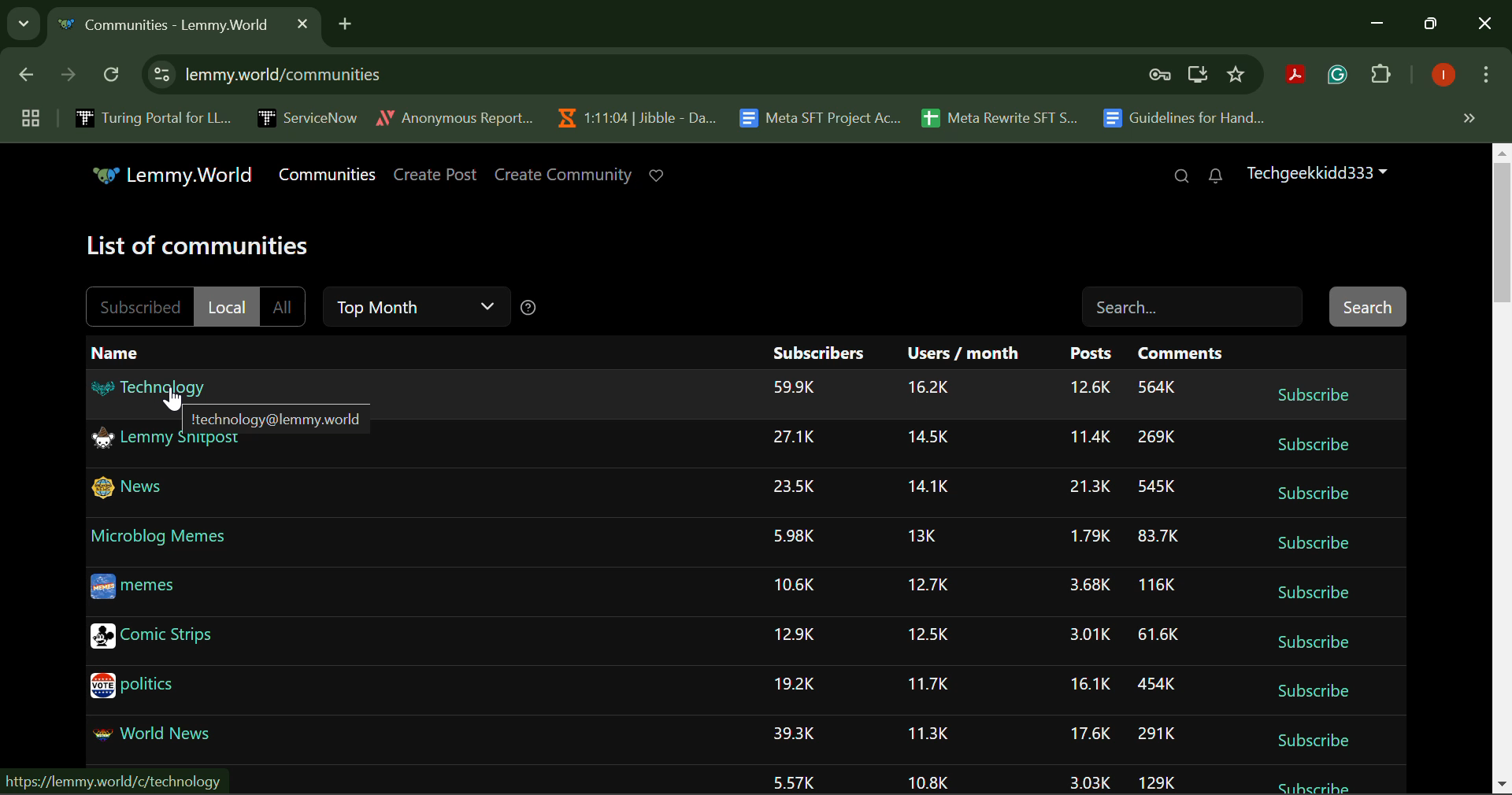 This screenshot has width=1512, height=795. I want to click on Search Button, so click(1367, 305).